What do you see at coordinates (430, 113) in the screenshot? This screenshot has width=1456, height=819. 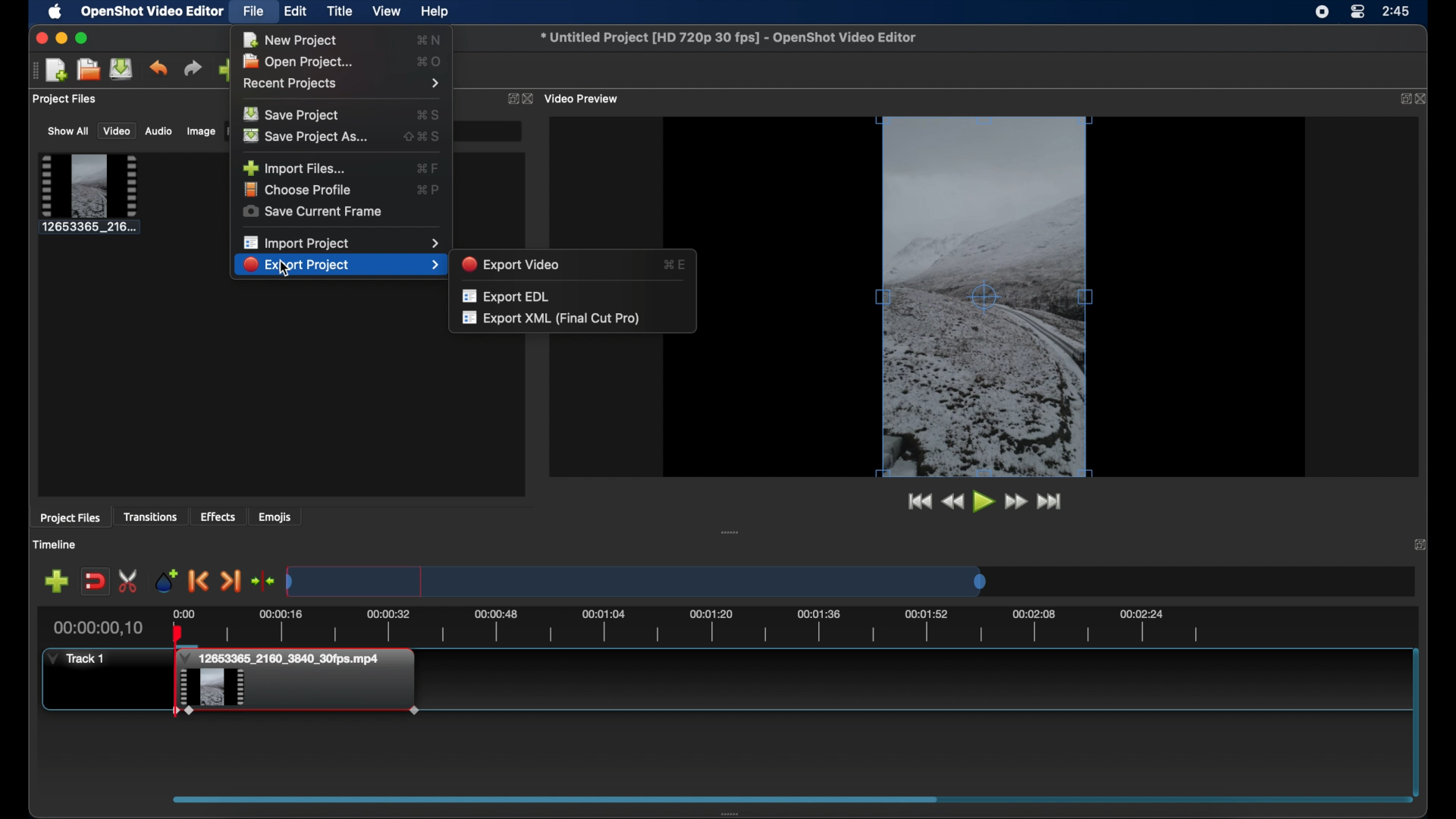 I see `save project shortcut` at bounding box center [430, 113].